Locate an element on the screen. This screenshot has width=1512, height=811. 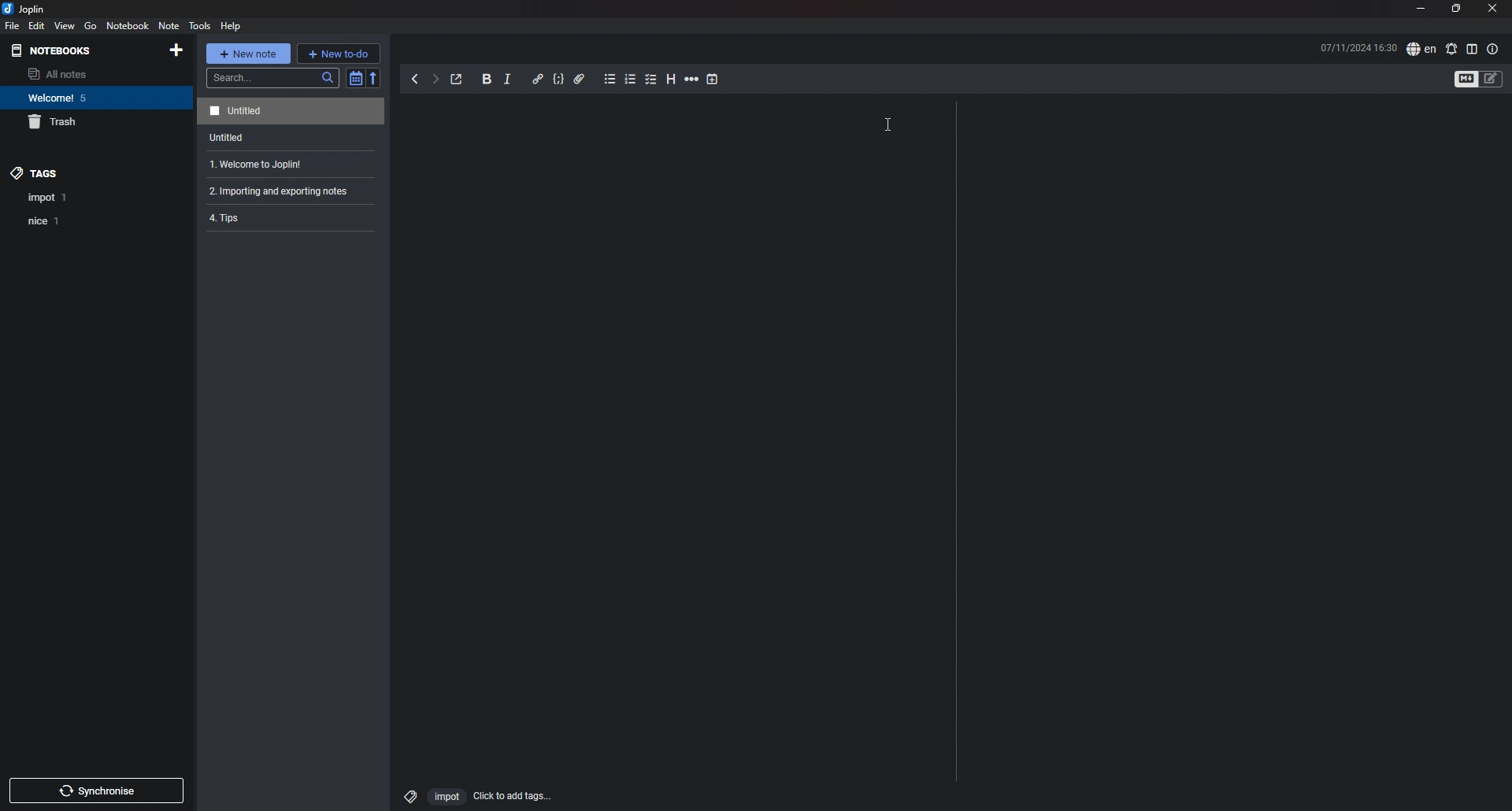
tag is located at coordinates (48, 198).